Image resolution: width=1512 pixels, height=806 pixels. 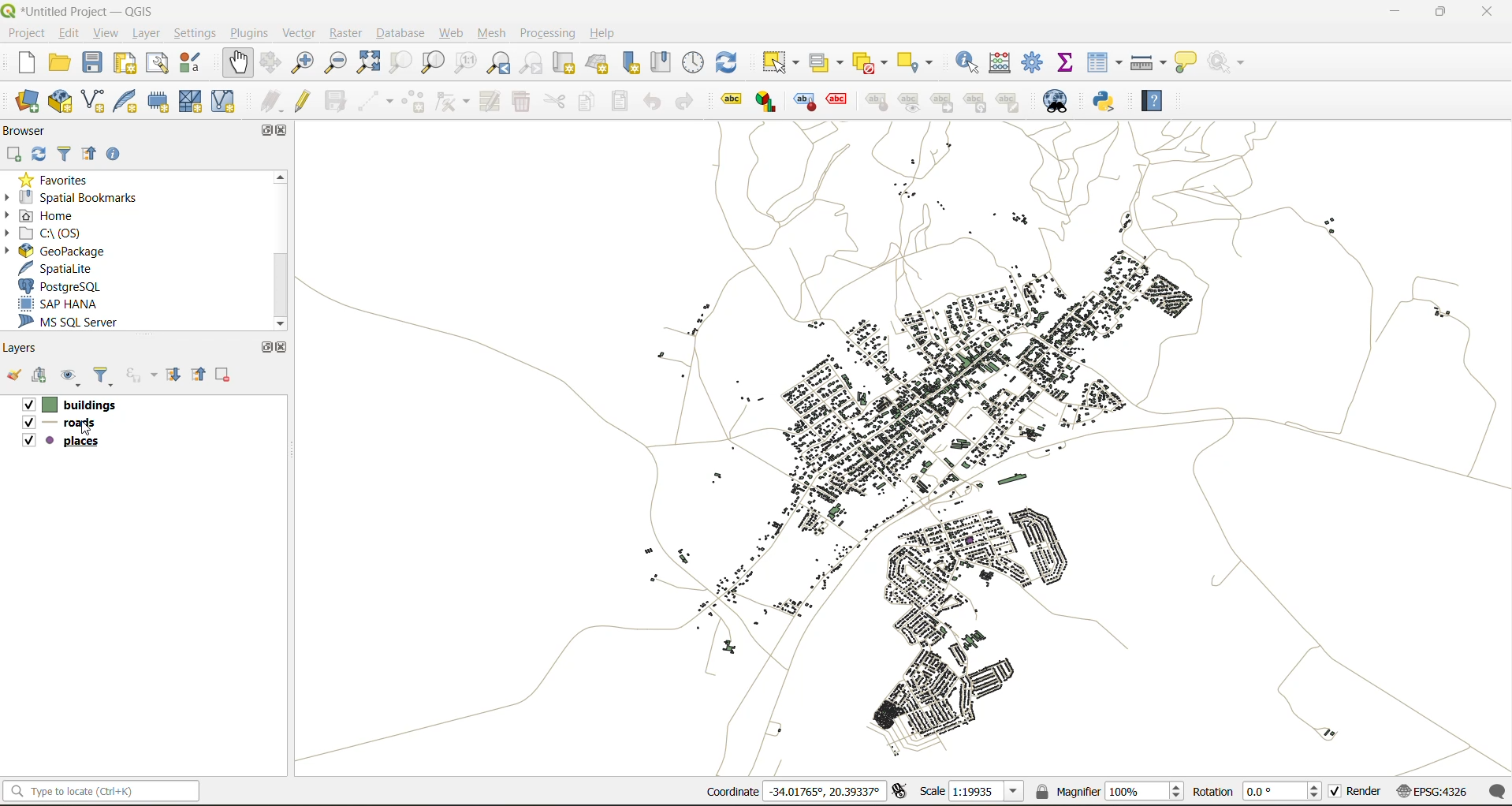 I want to click on magnifier, so click(x=1108, y=792).